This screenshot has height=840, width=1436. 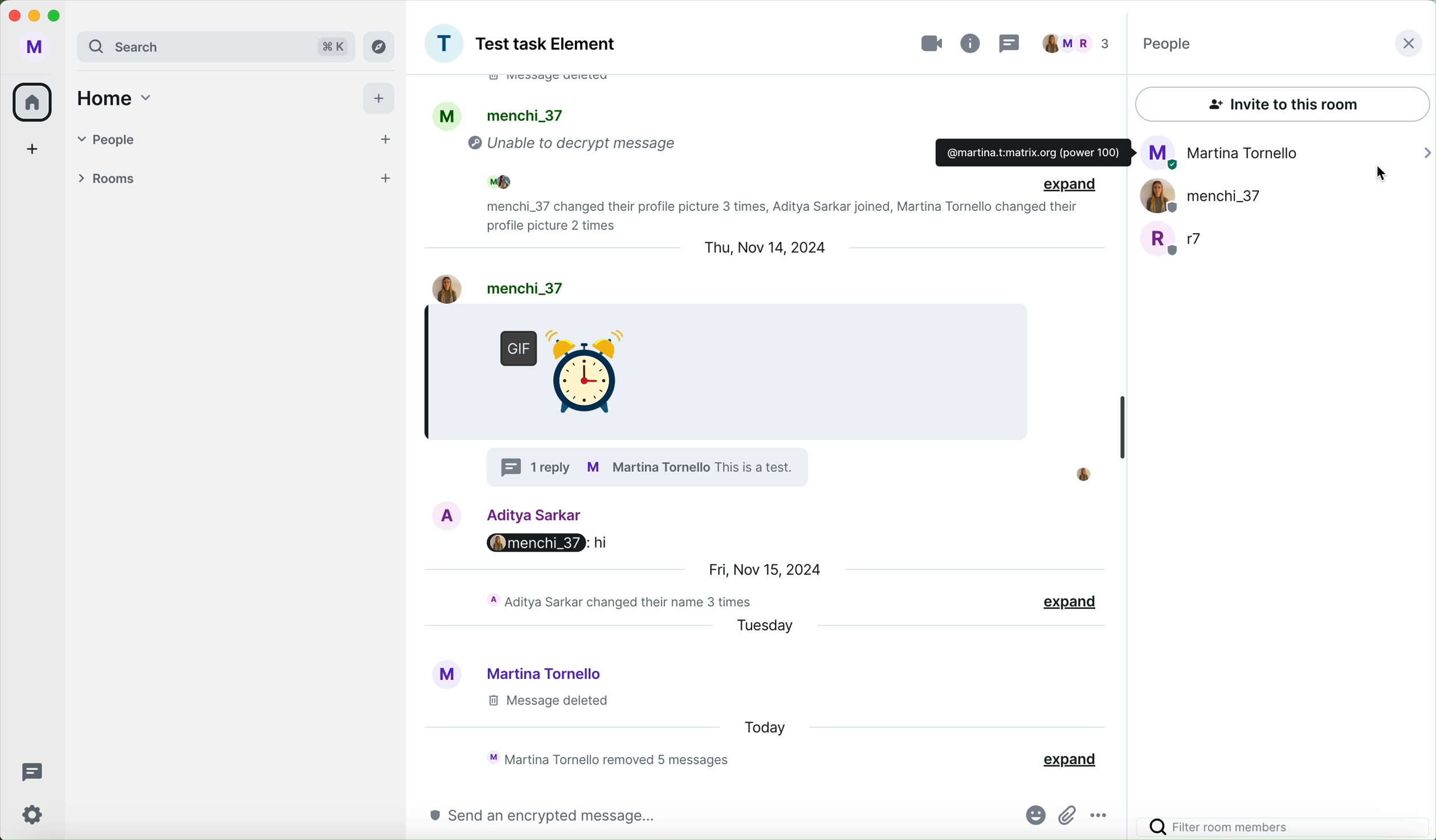 What do you see at coordinates (1068, 759) in the screenshot?
I see `expand` at bounding box center [1068, 759].